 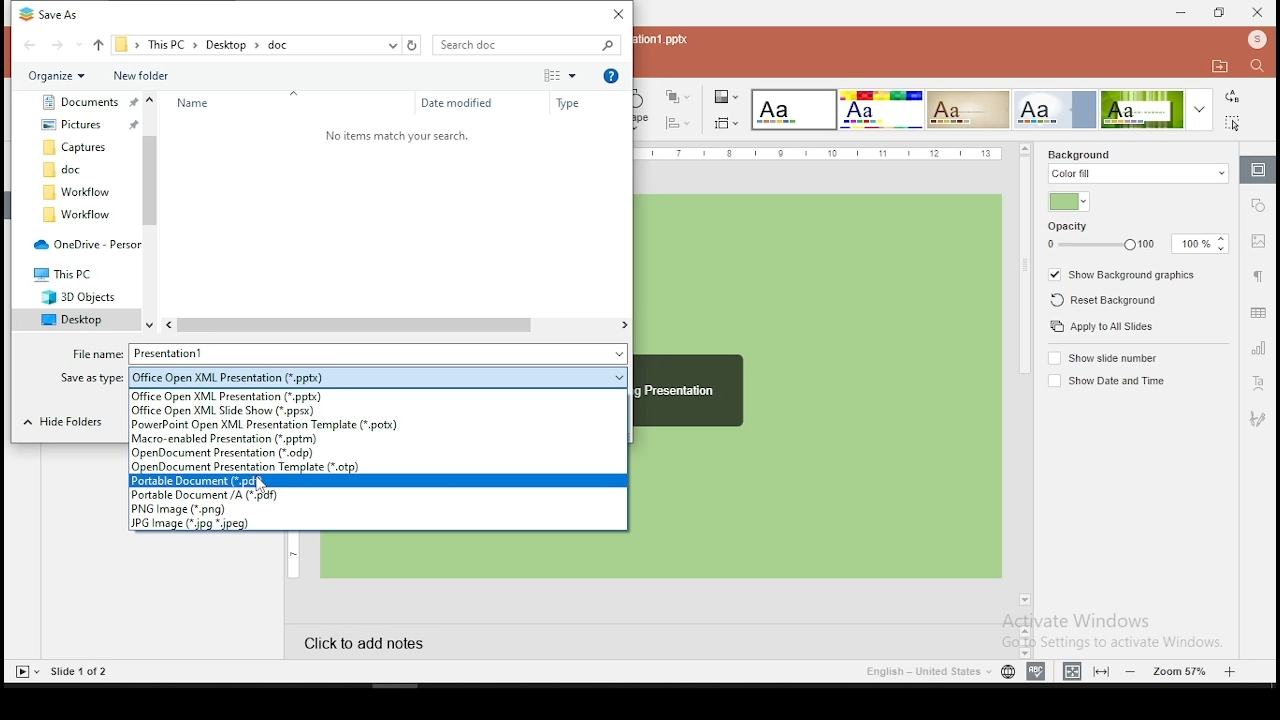 What do you see at coordinates (561, 74) in the screenshot?
I see `more options` at bounding box center [561, 74].